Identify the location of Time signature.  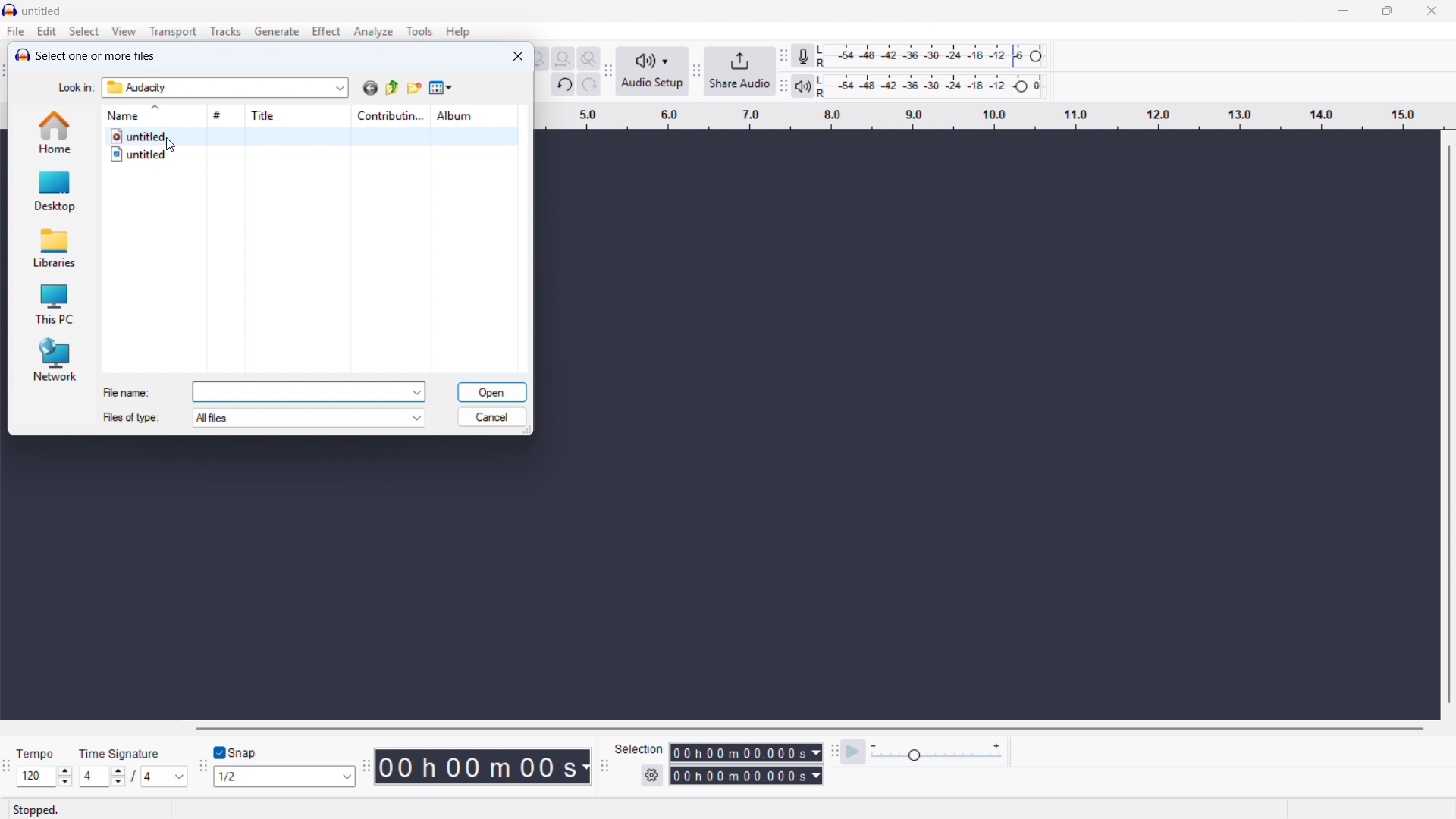
(121, 752).